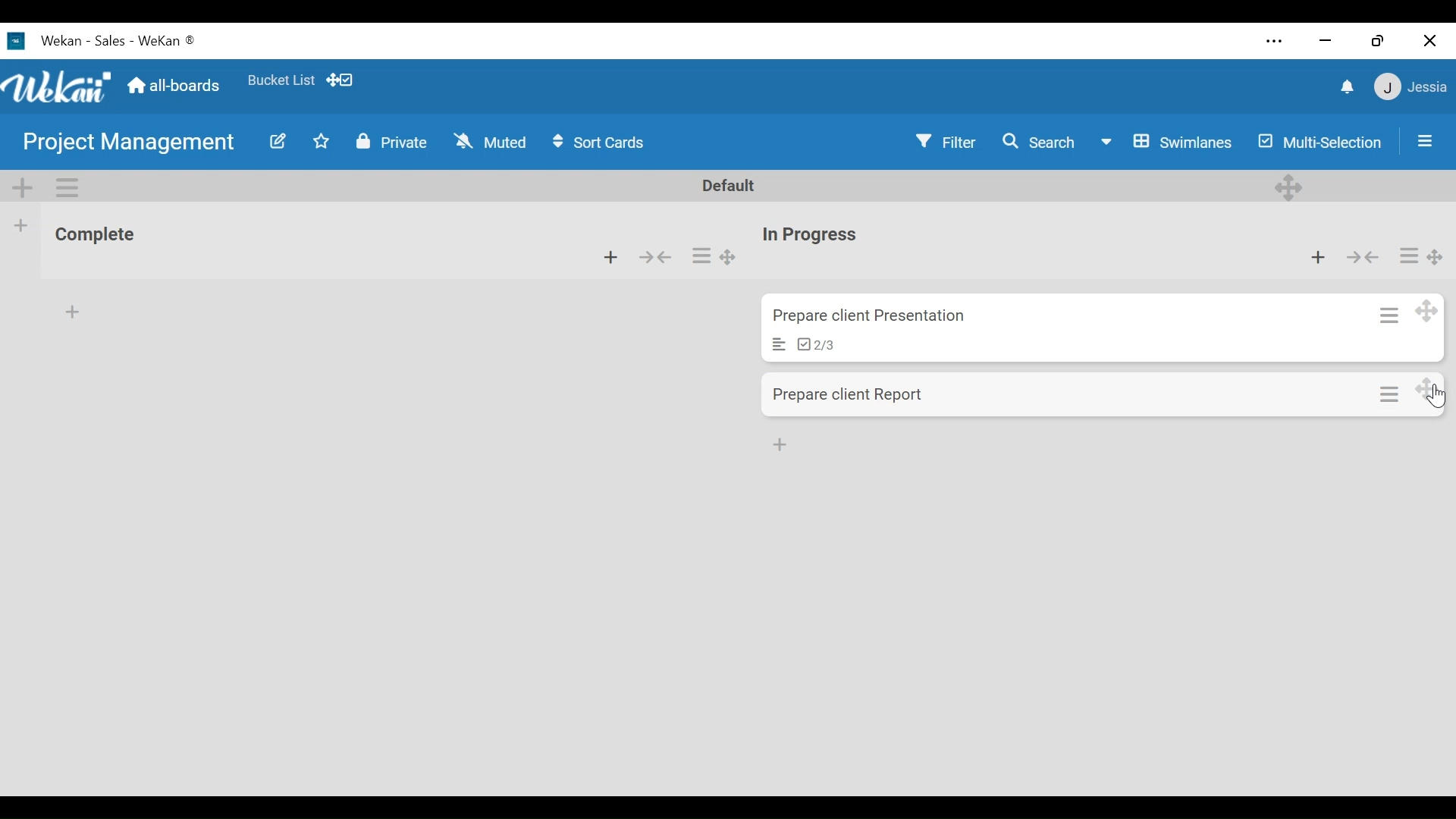  Describe the element at coordinates (612, 257) in the screenshot. I see `Add card to the top of the list` at that location.